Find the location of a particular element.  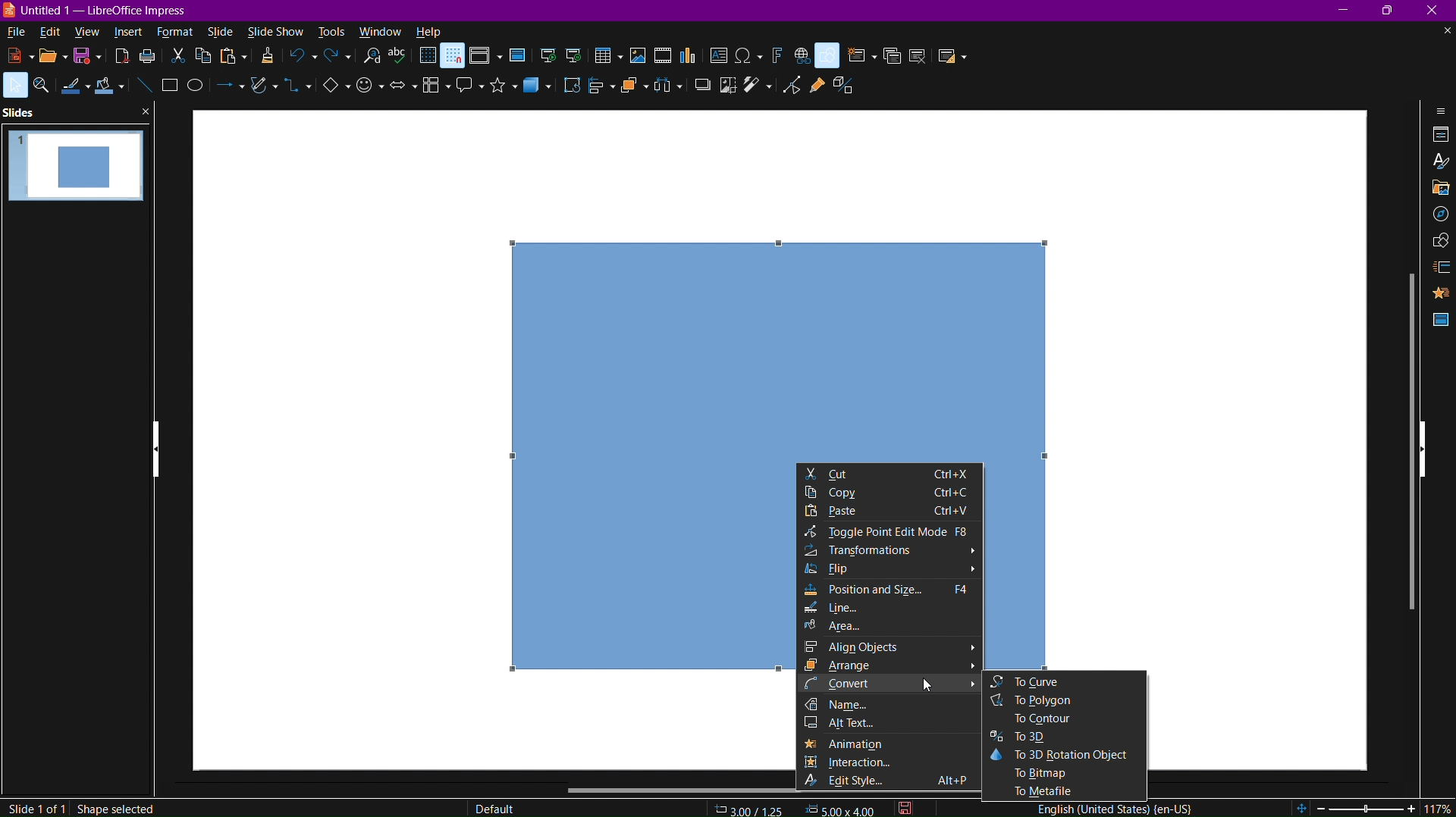

Cut is located at coordinates (890, 474).